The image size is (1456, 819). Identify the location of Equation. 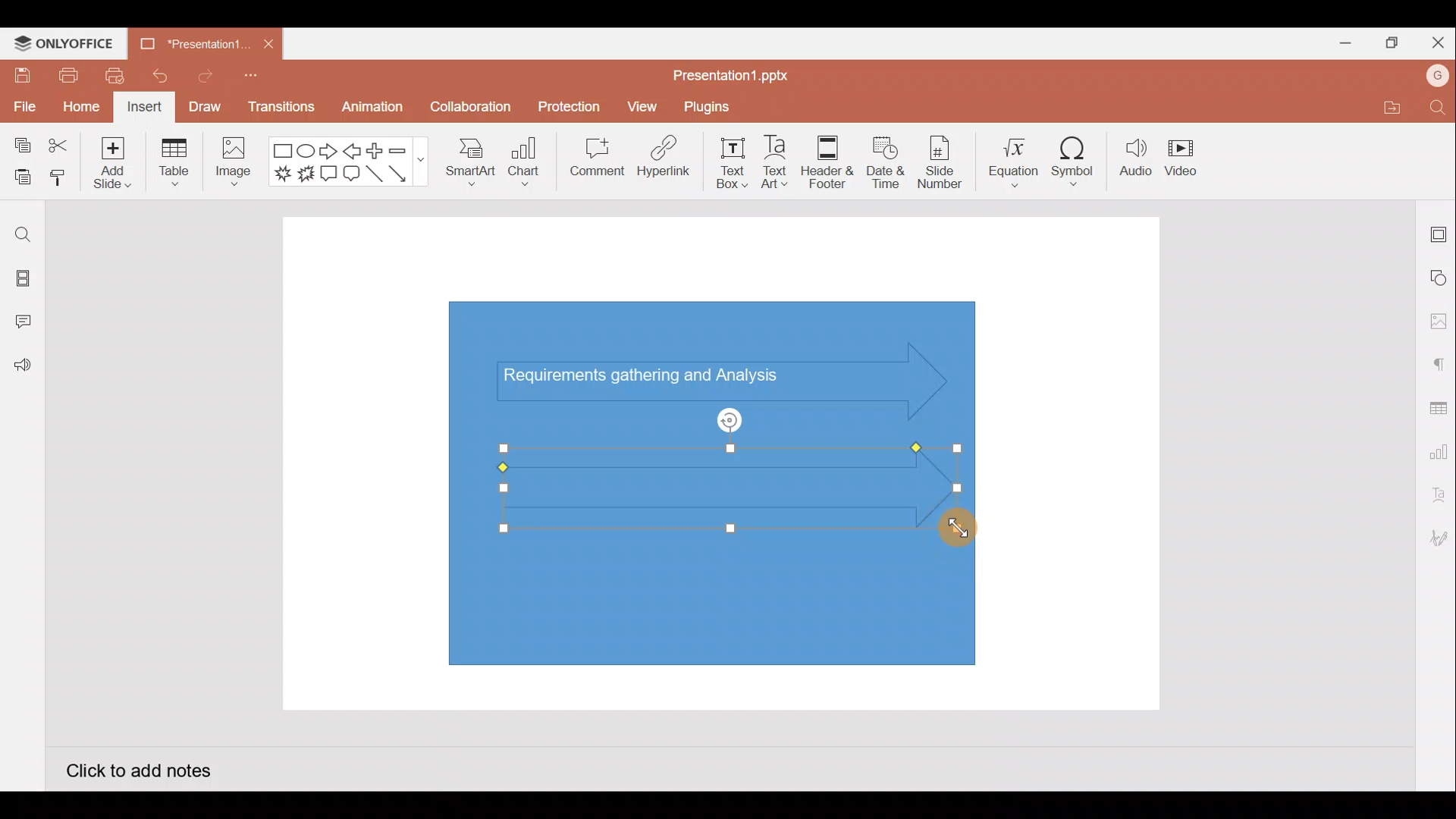
(1015, 157).